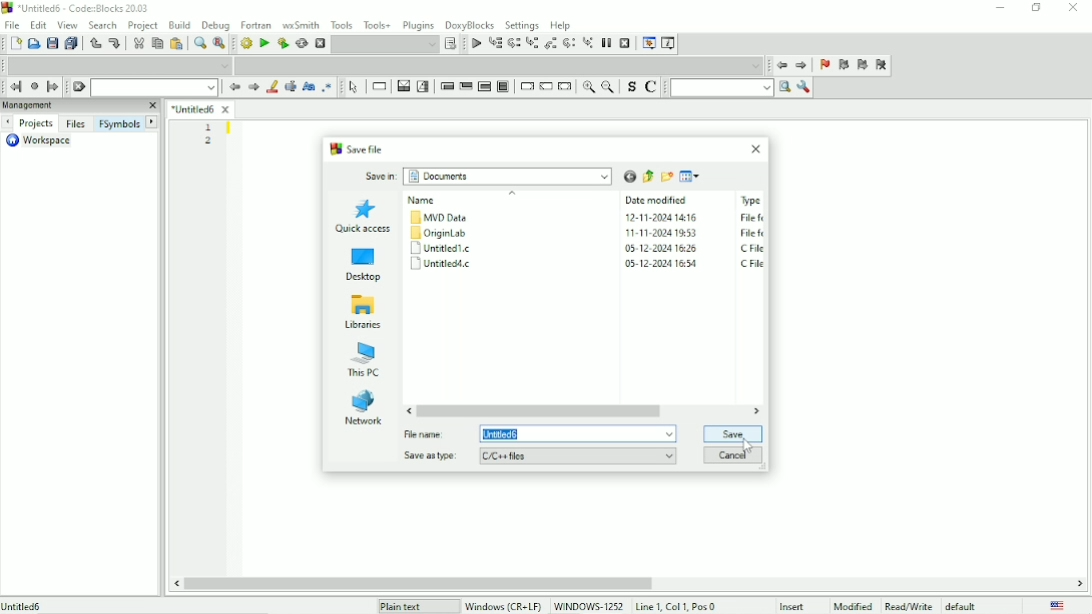 This screenshot has height=614, width=1092. I want to click on Zoom out, so click(609, 88).